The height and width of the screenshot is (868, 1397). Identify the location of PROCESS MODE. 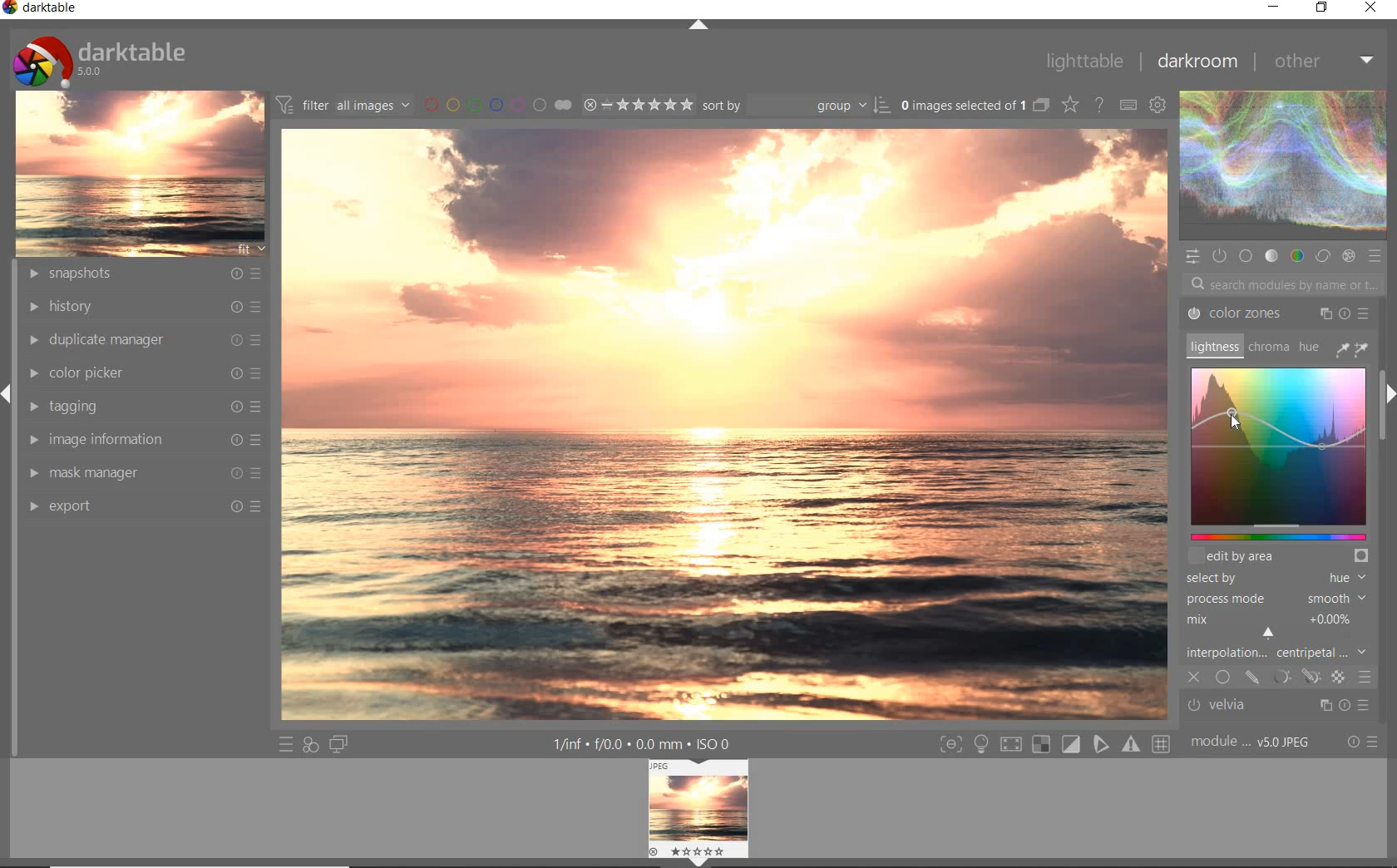
(1278, 599).